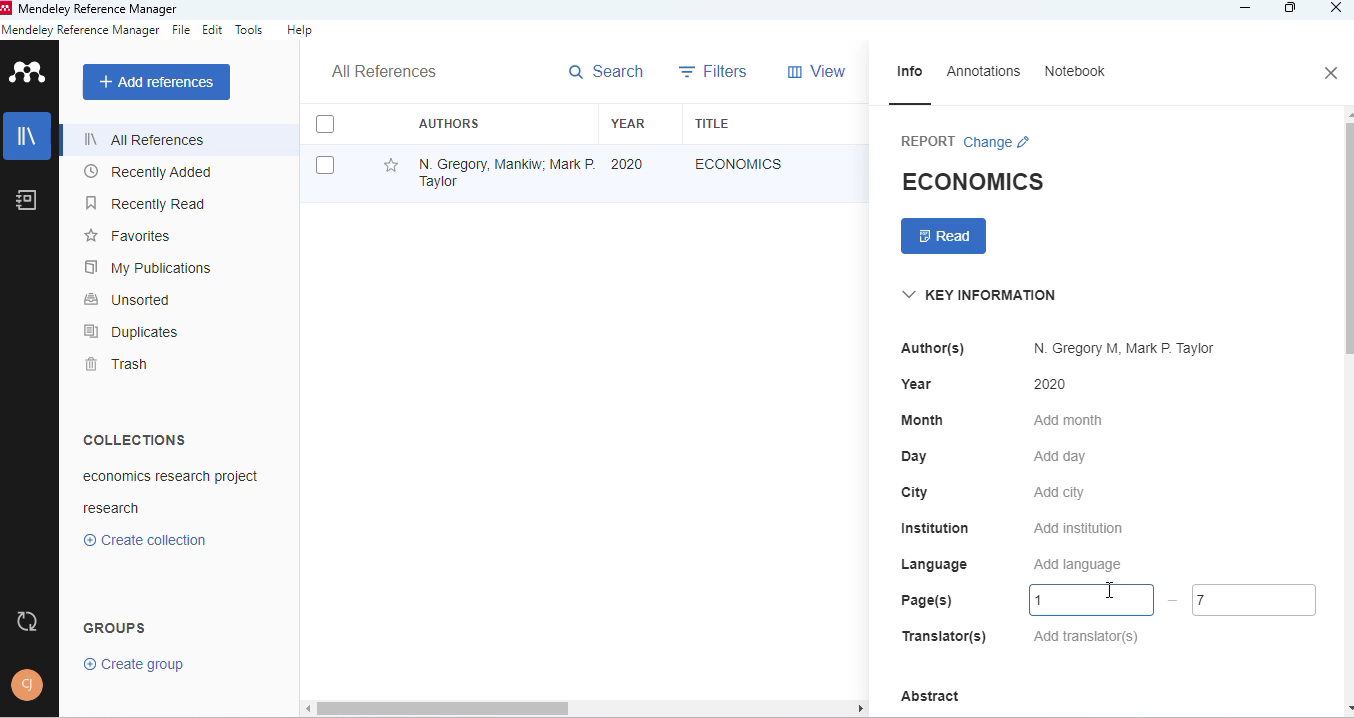 This screenshot has width=1354, height=718. Describe the element at coordinates (1060, 457) in the screenshot. I see `add day` at that location.